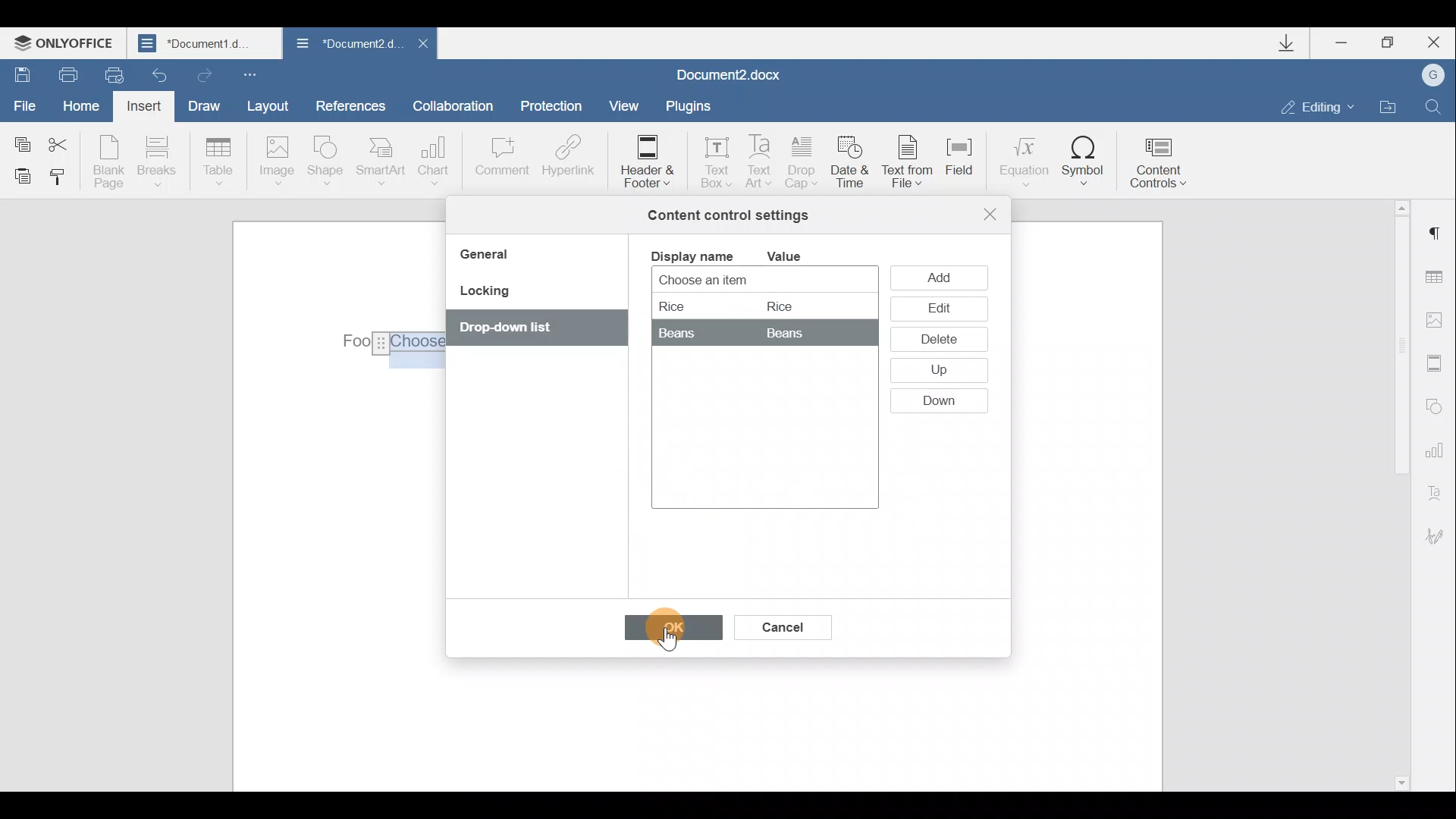  What do you see at coordinates (17, 73) in the screenshot?
I see `Save` at bounding box center [17, 73].